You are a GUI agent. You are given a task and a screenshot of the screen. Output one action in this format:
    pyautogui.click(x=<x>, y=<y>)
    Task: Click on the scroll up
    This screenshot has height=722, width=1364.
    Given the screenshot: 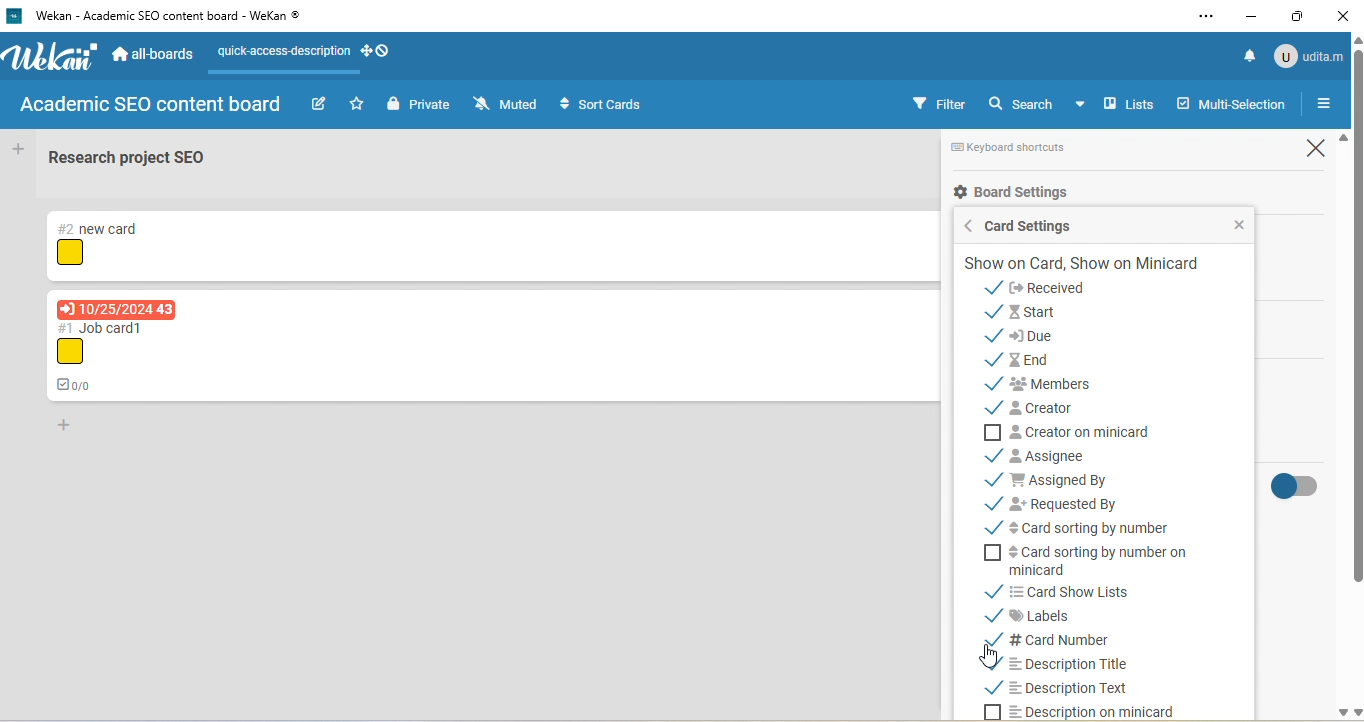 What is the action you would take?
    pyautogui.click(x=1341, y=139)
    